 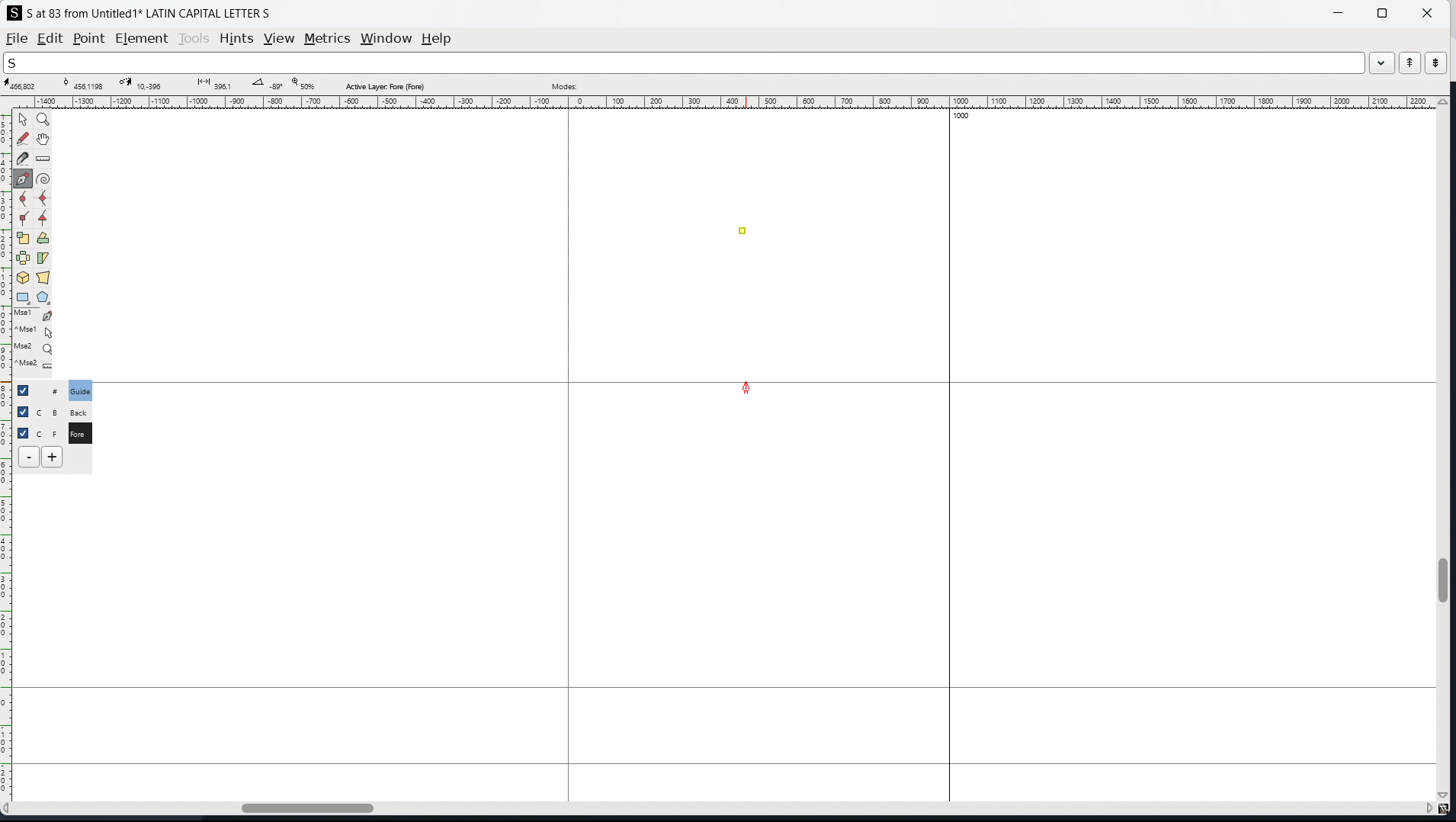 I want to click on magnify, so click(x=44, y=120).